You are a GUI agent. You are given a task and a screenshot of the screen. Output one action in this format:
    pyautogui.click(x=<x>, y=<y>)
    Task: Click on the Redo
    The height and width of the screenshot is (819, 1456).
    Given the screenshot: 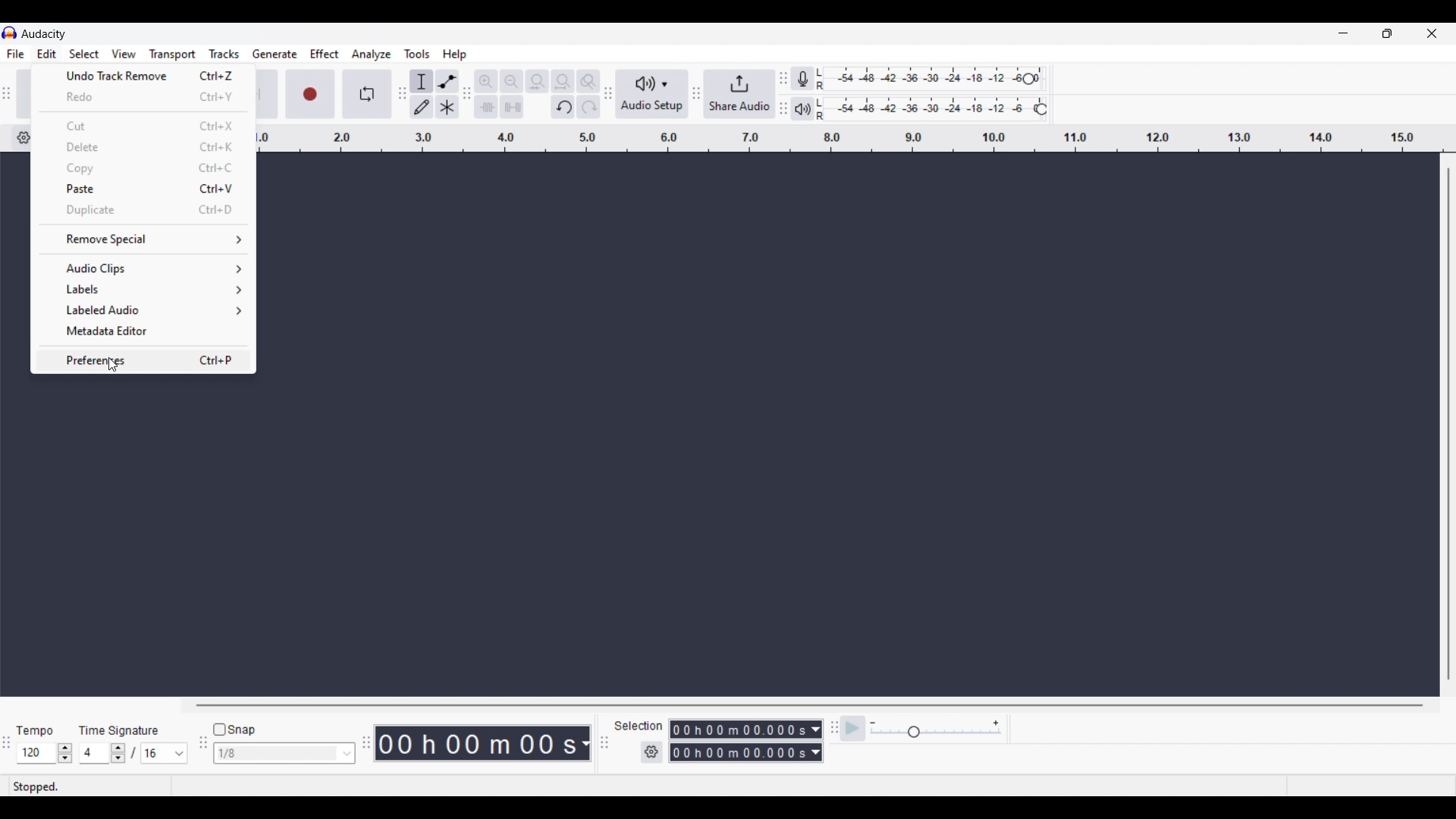 What is the action you would take?
    pyautogui.click(x=588, y=106)
    